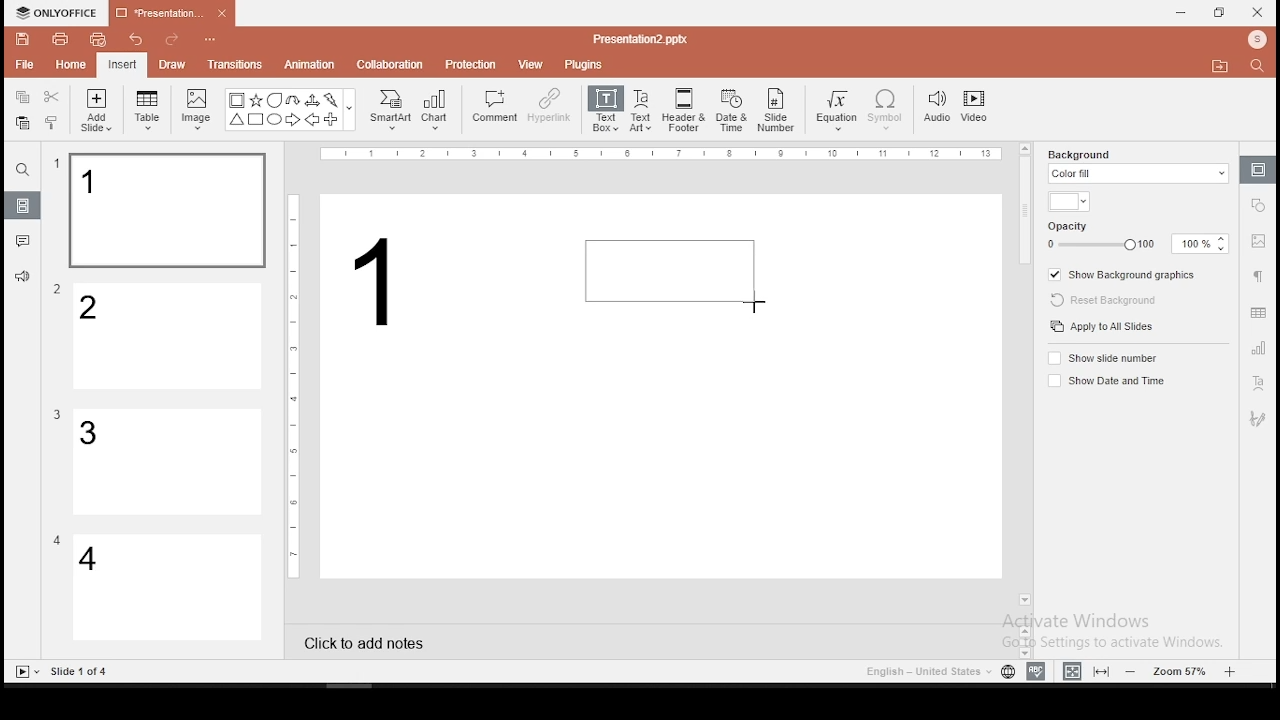 The image size is (1280, 720). What do you see at coordinates (332, 120) in the screenshot?
I see `Plus` at bounding box center [332, 120].